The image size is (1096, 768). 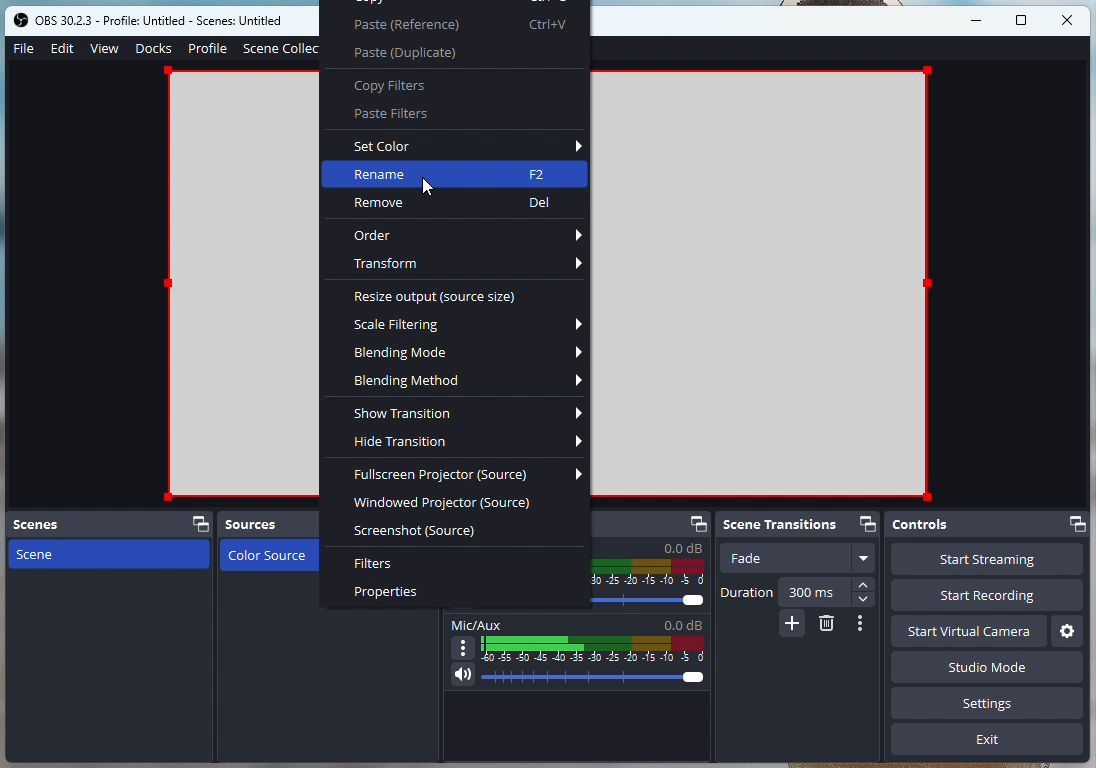 What do you see at coordinates (969, 630) in the screenshot?
I see `Start virtual camera` at bounding box center [969, 630].